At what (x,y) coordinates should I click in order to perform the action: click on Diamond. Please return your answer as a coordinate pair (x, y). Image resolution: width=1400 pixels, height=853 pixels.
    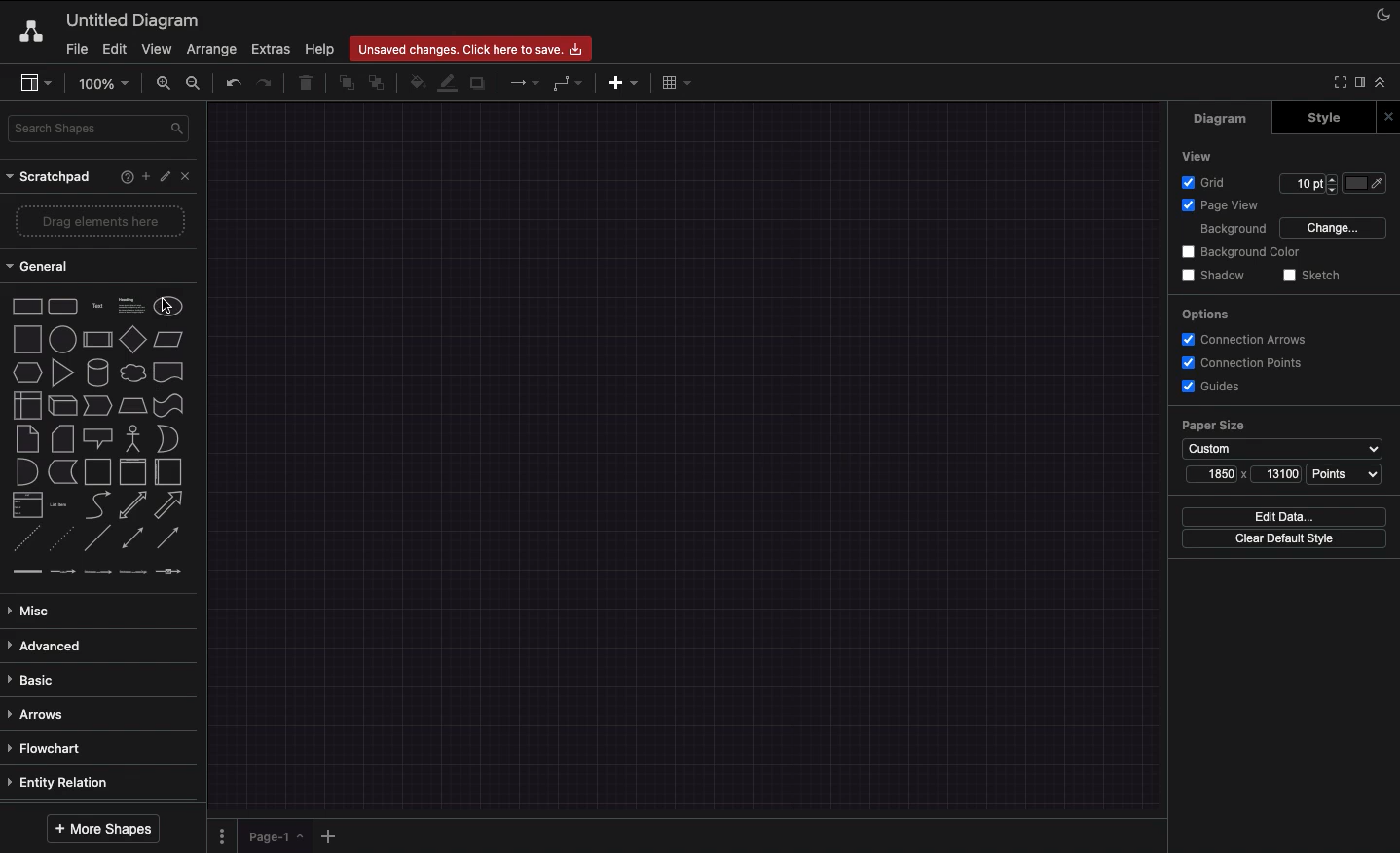
    Looking at the image, I should click on (132, 340).